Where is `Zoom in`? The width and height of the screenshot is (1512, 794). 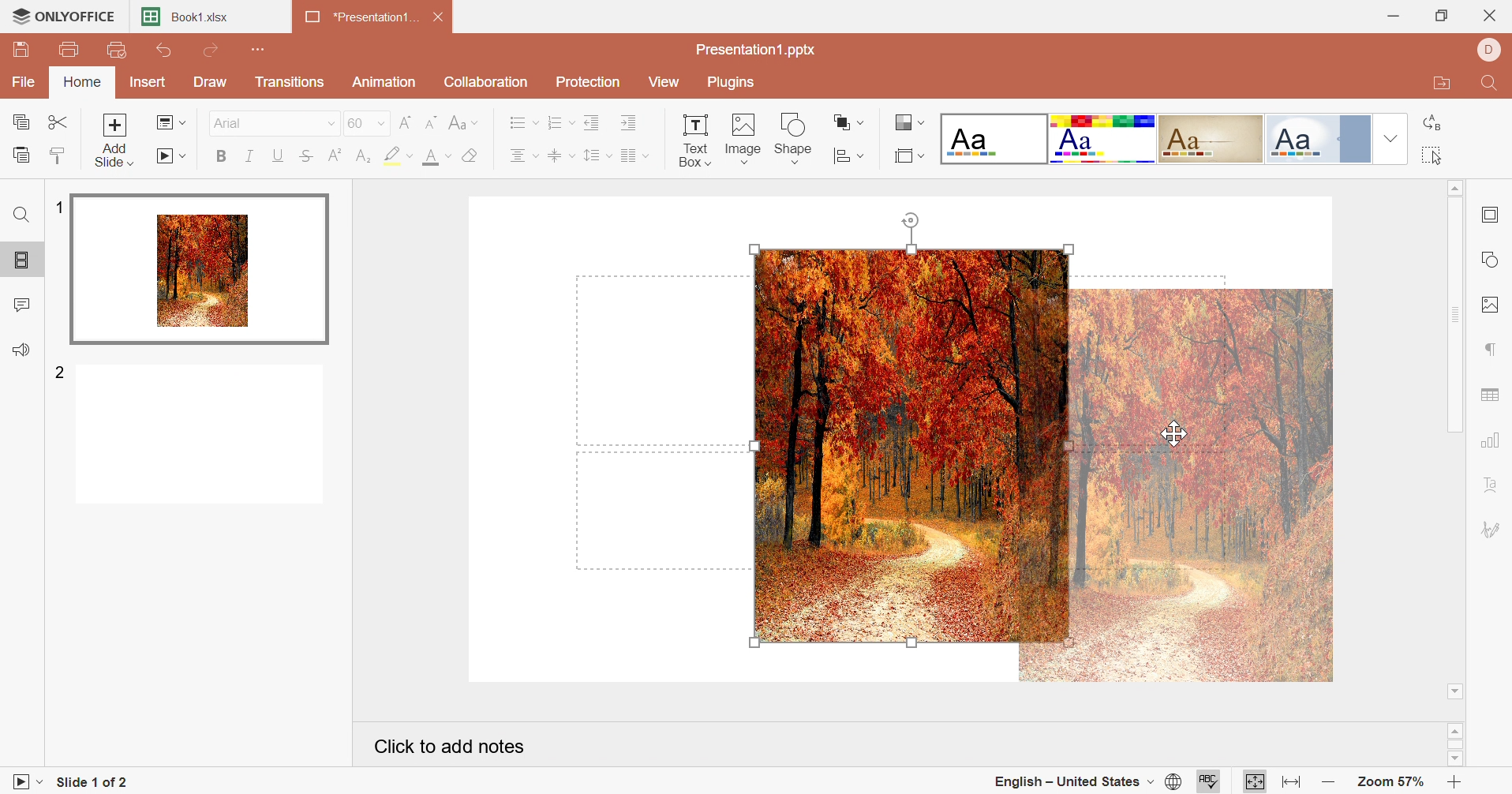
Zoom in is located at coordinates (1455, 783).